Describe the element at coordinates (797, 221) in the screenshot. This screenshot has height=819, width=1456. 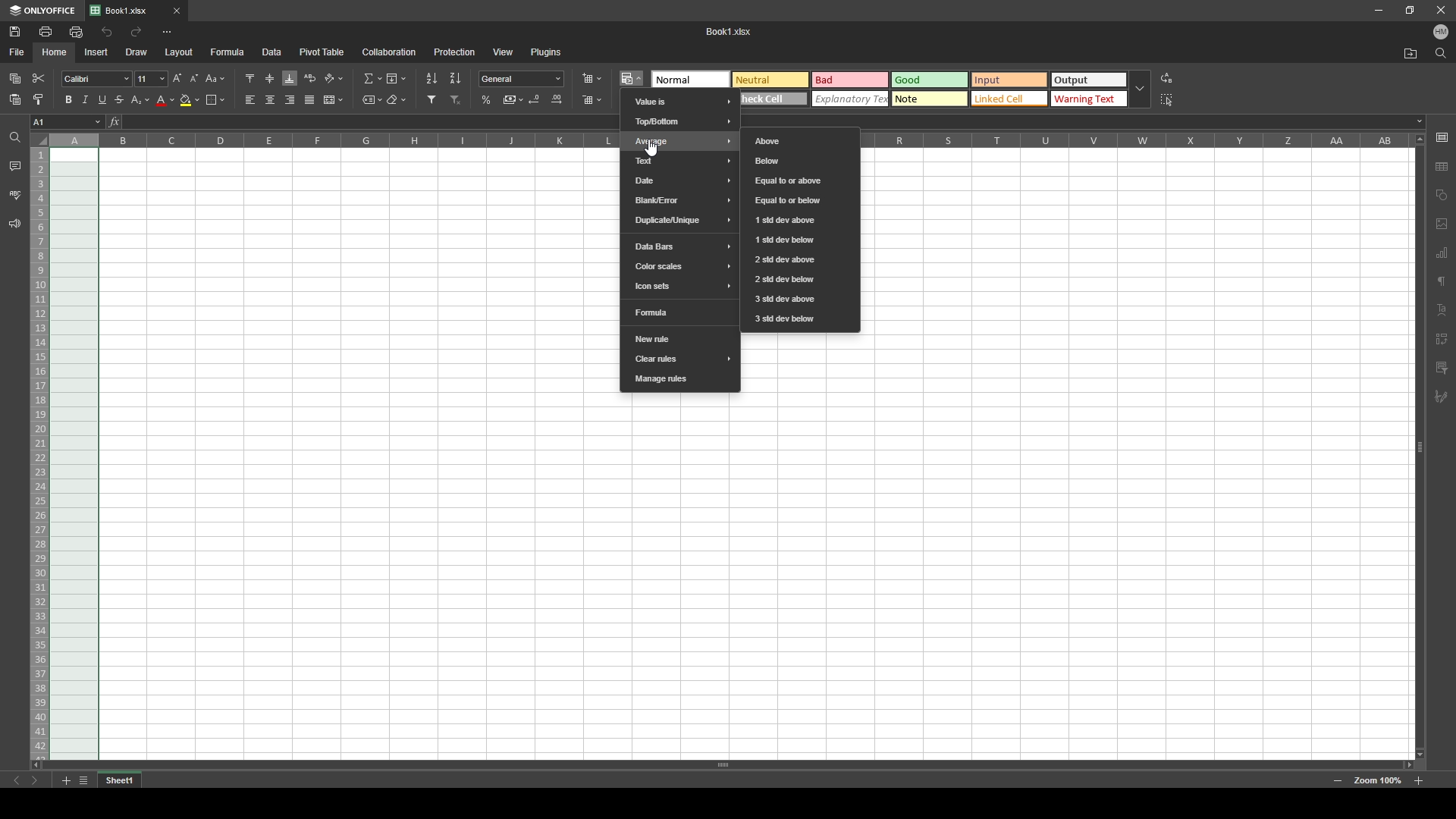
I see `1 std dev above` at that location.